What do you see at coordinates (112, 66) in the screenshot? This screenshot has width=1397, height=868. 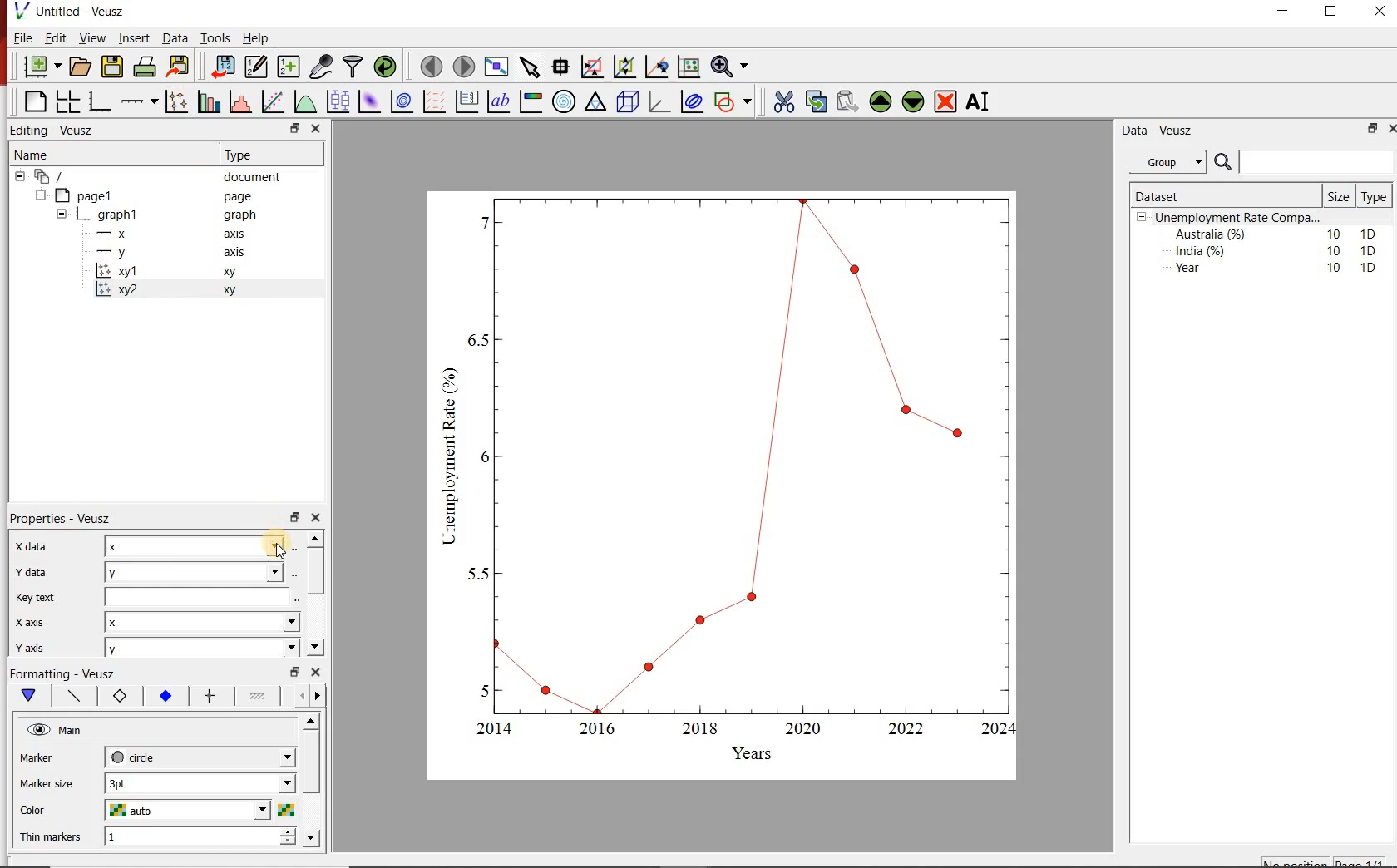 I see `save document` at bounding box center [112, 66].